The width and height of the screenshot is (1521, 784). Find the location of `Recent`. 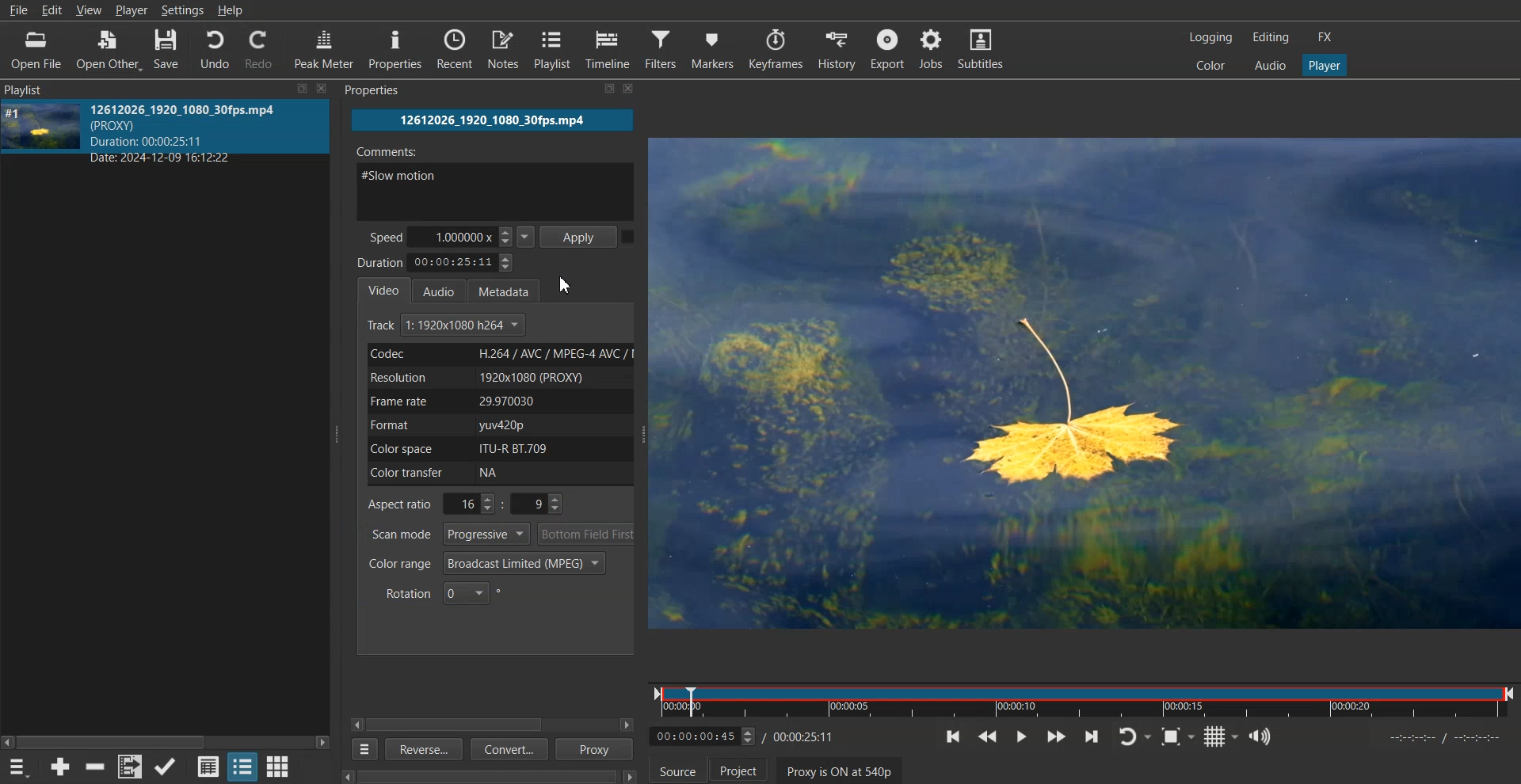

Recent is located at coordinates (455, 49).